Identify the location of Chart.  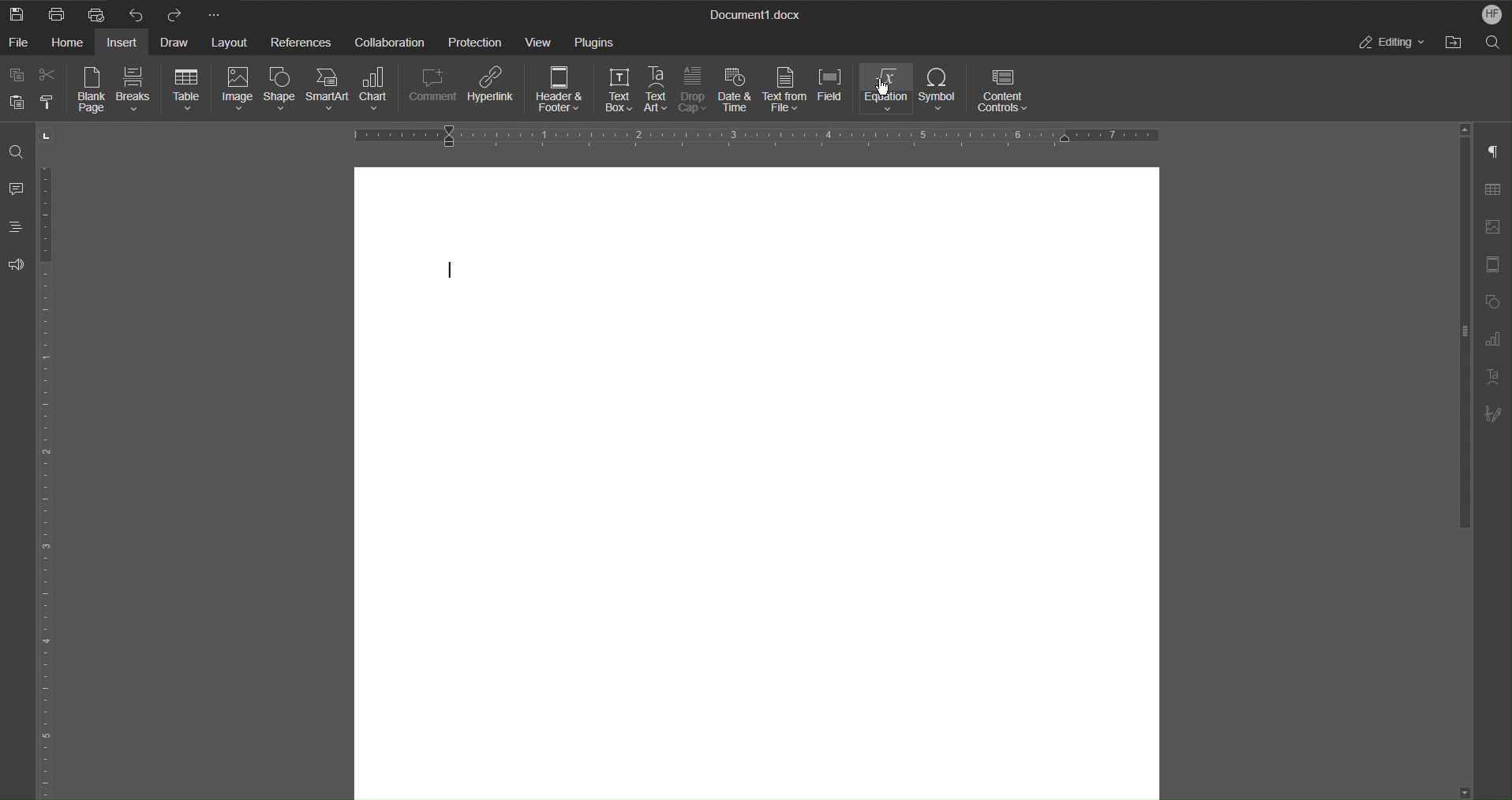
(376, 90).